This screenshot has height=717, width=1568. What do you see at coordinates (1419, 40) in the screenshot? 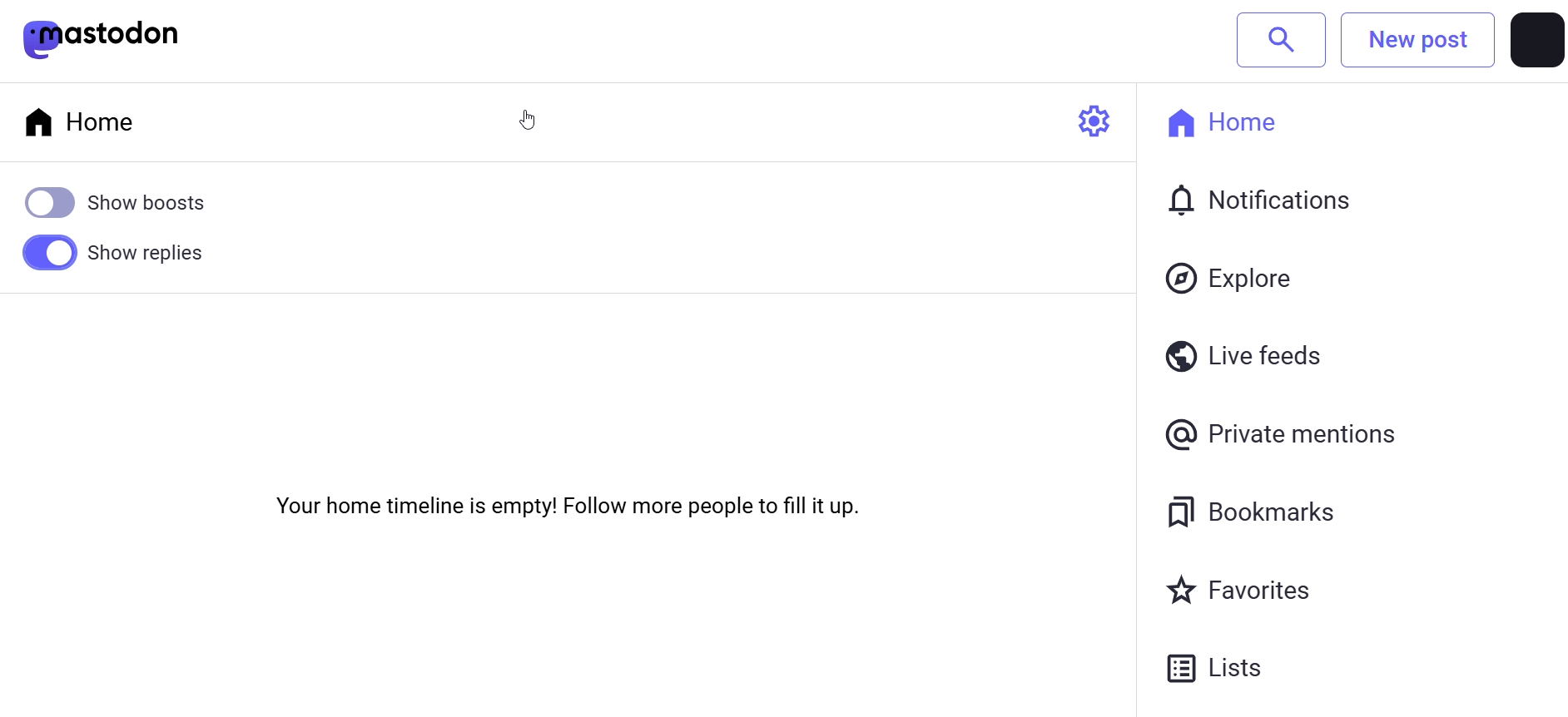
I see `New post` at bounding box center [1419, 40].